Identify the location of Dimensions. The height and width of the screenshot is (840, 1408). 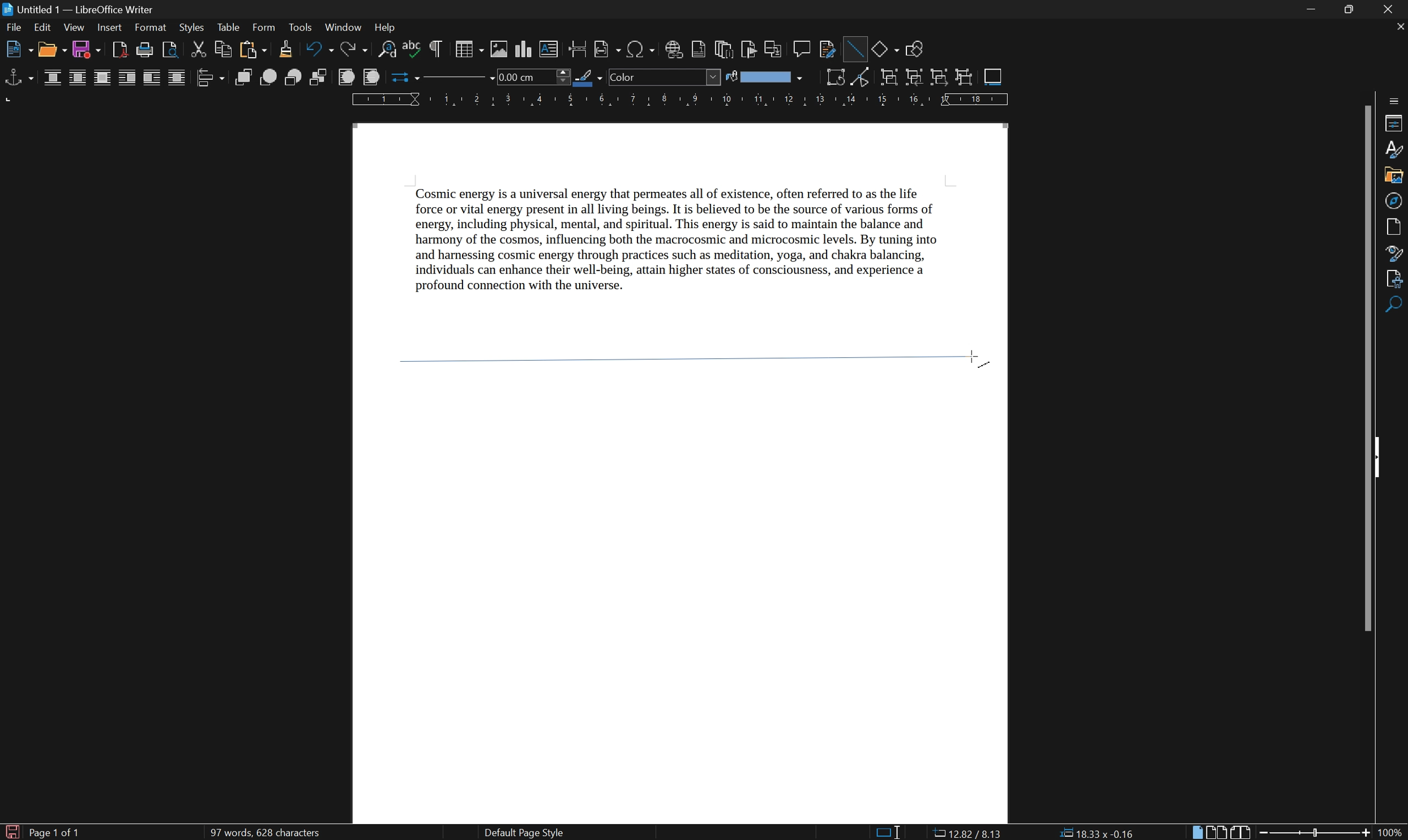
(966, 832).